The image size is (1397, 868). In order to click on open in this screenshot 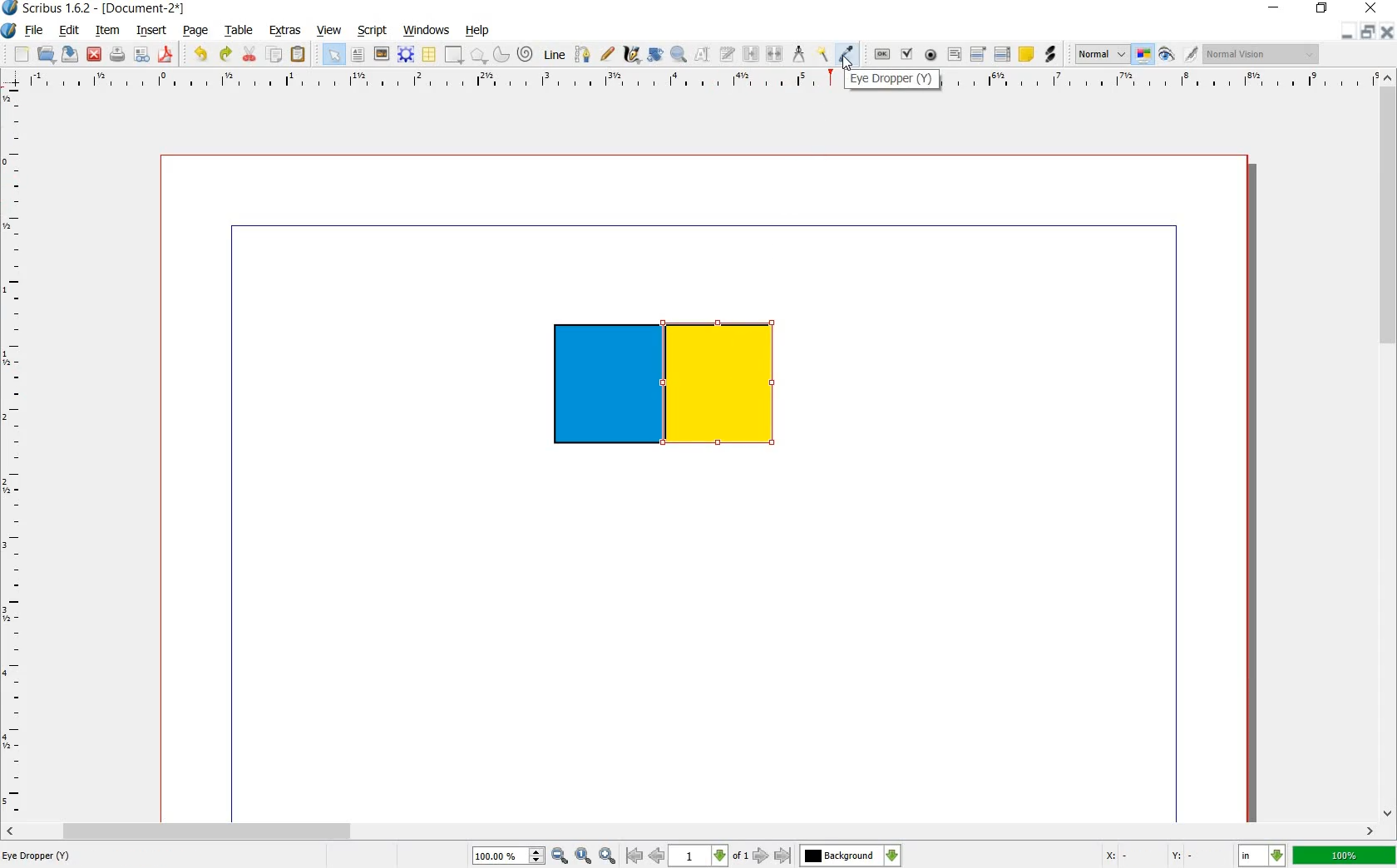, I will do `click(45, 54)`.